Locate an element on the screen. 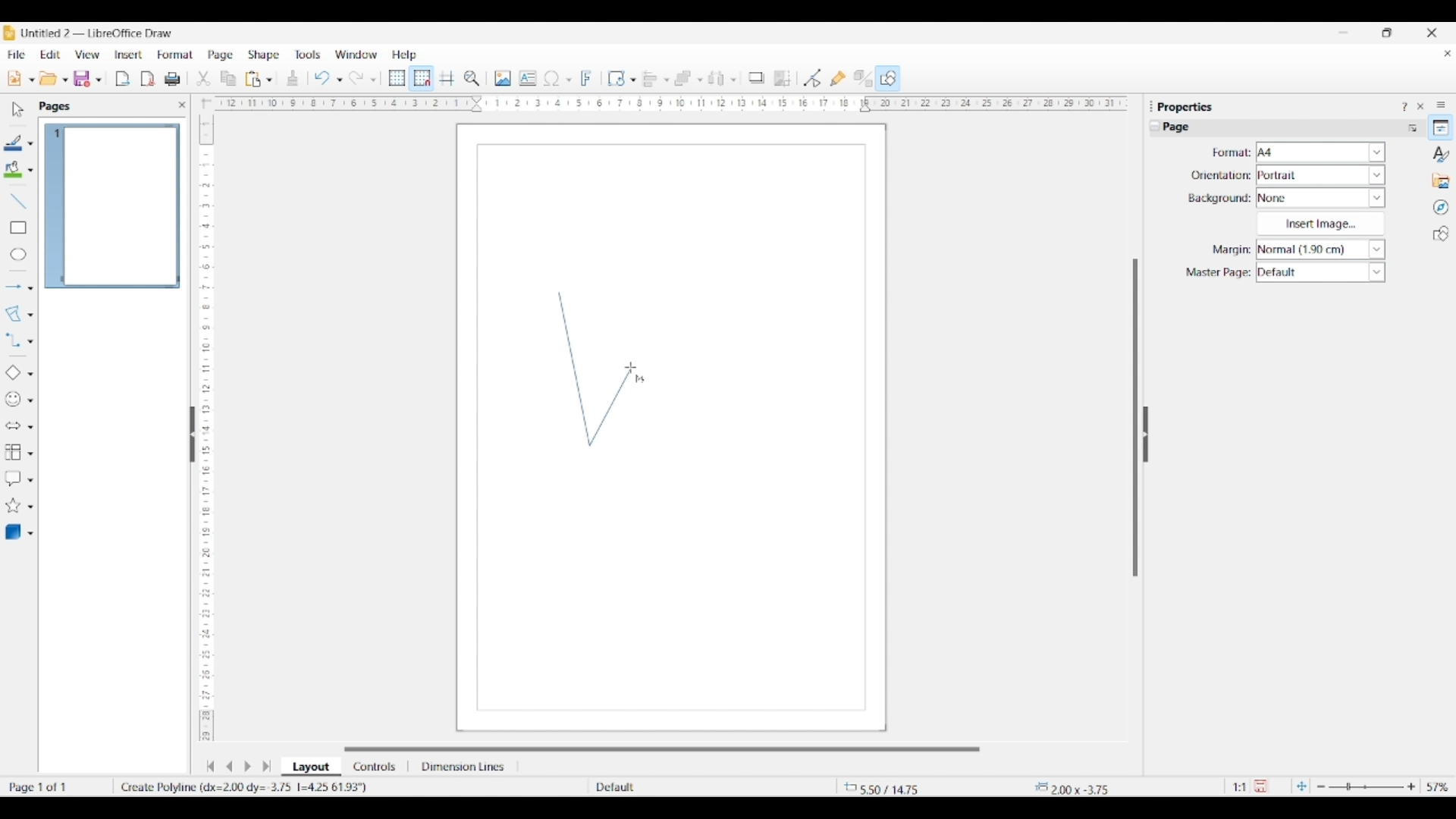 The height and width of the screenshot is (819, 1456). Flowchart options is located at coordinates (30, 453).